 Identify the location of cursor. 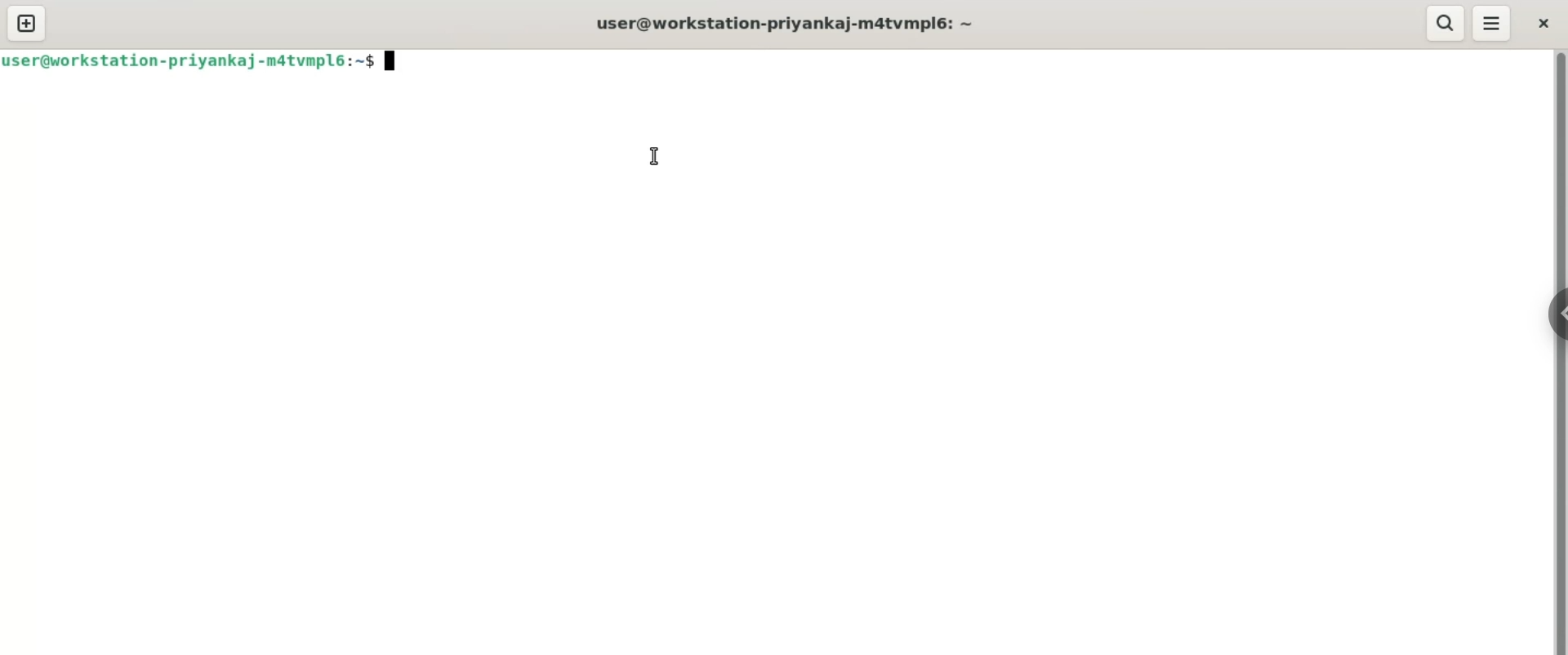
(653, 158).